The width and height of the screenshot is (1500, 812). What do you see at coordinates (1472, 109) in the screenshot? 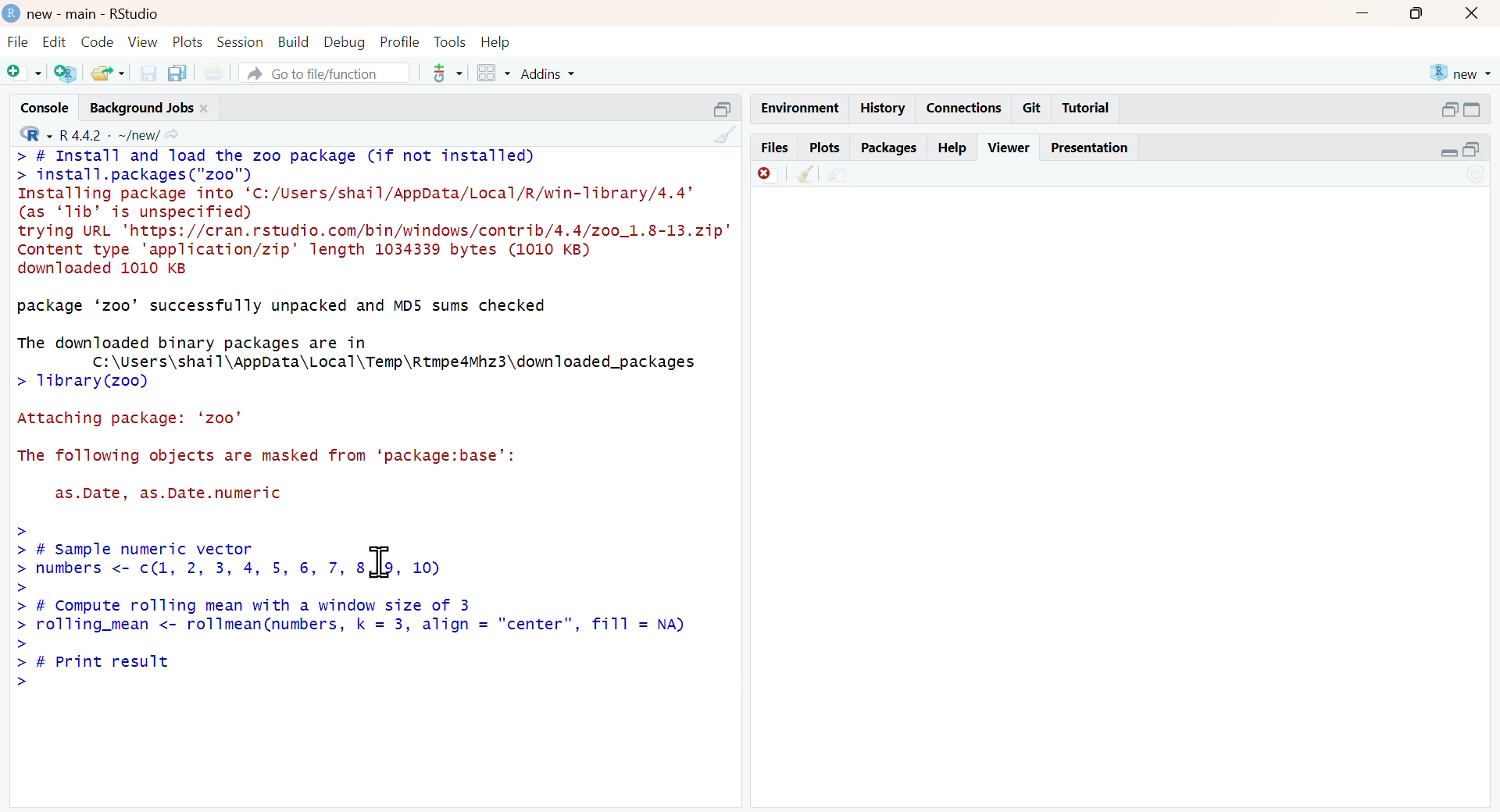
I see `switch to full view` at bounding box center [1472, 109].